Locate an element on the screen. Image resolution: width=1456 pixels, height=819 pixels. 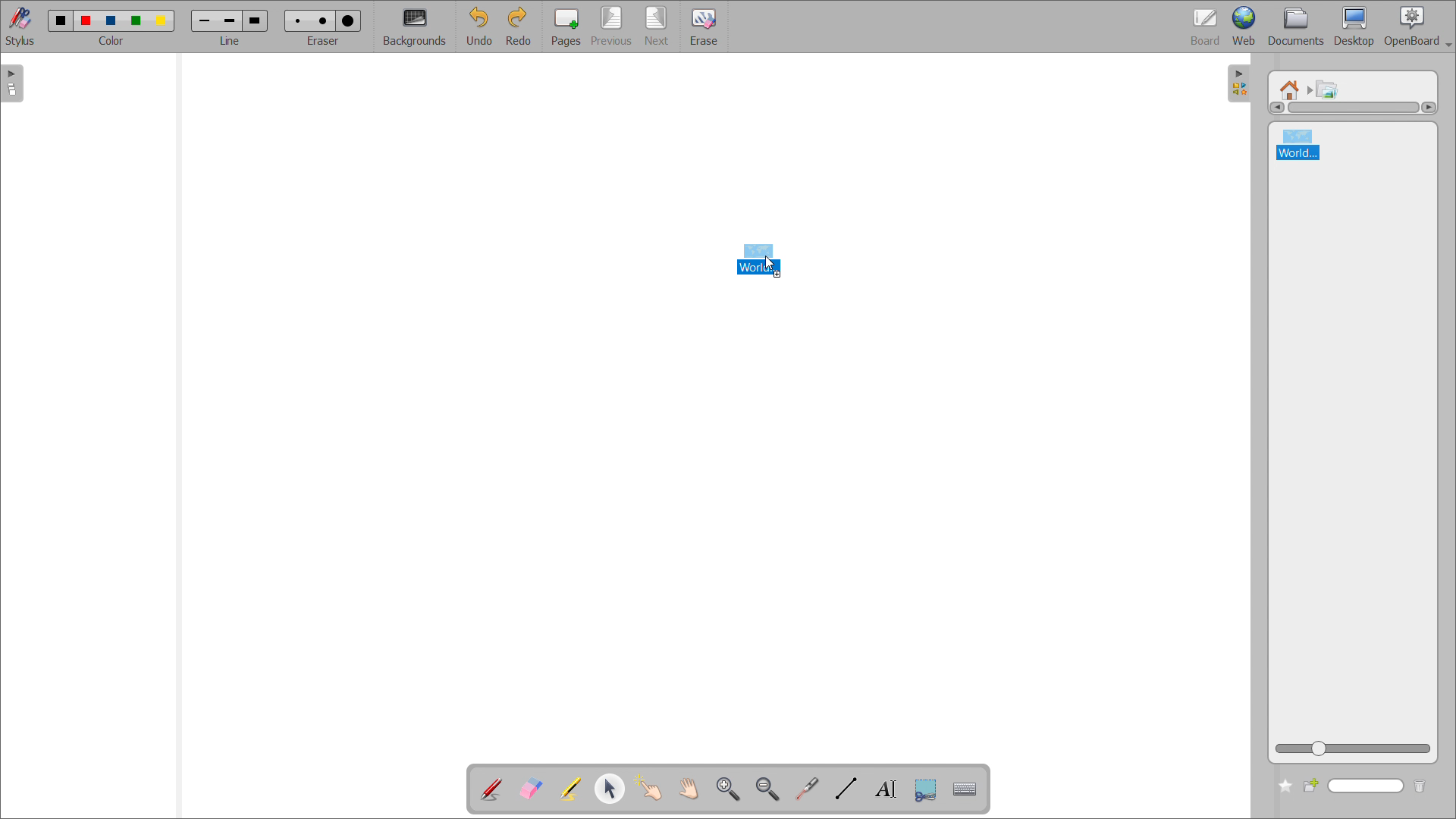
scrollbar is located at coordinates (1354, 108).